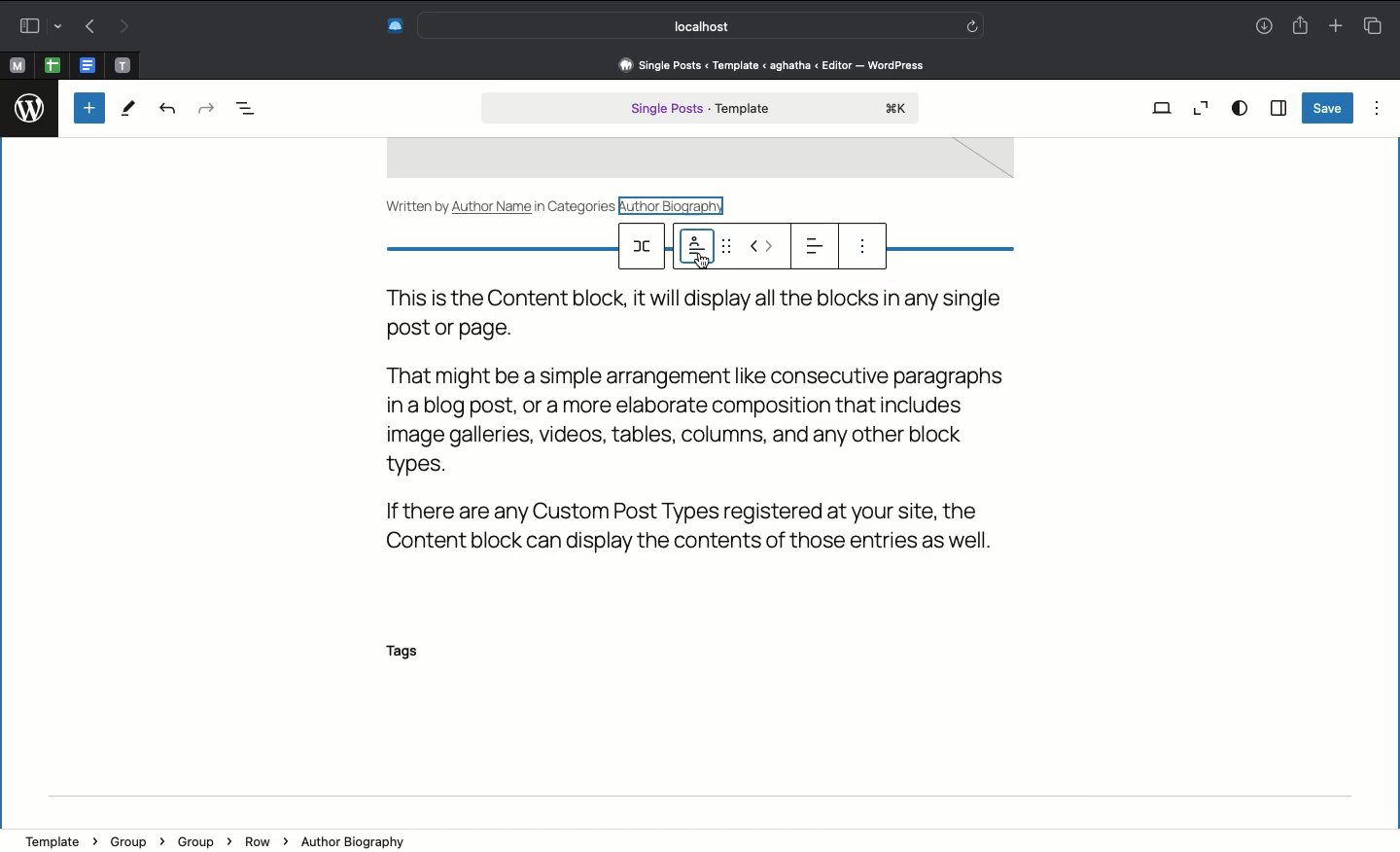 This screenshot has width=1400, height=852. What do you see at coordinates (201, 840) in the screenshot?
I see `Group` at bounding box center [201, 840].